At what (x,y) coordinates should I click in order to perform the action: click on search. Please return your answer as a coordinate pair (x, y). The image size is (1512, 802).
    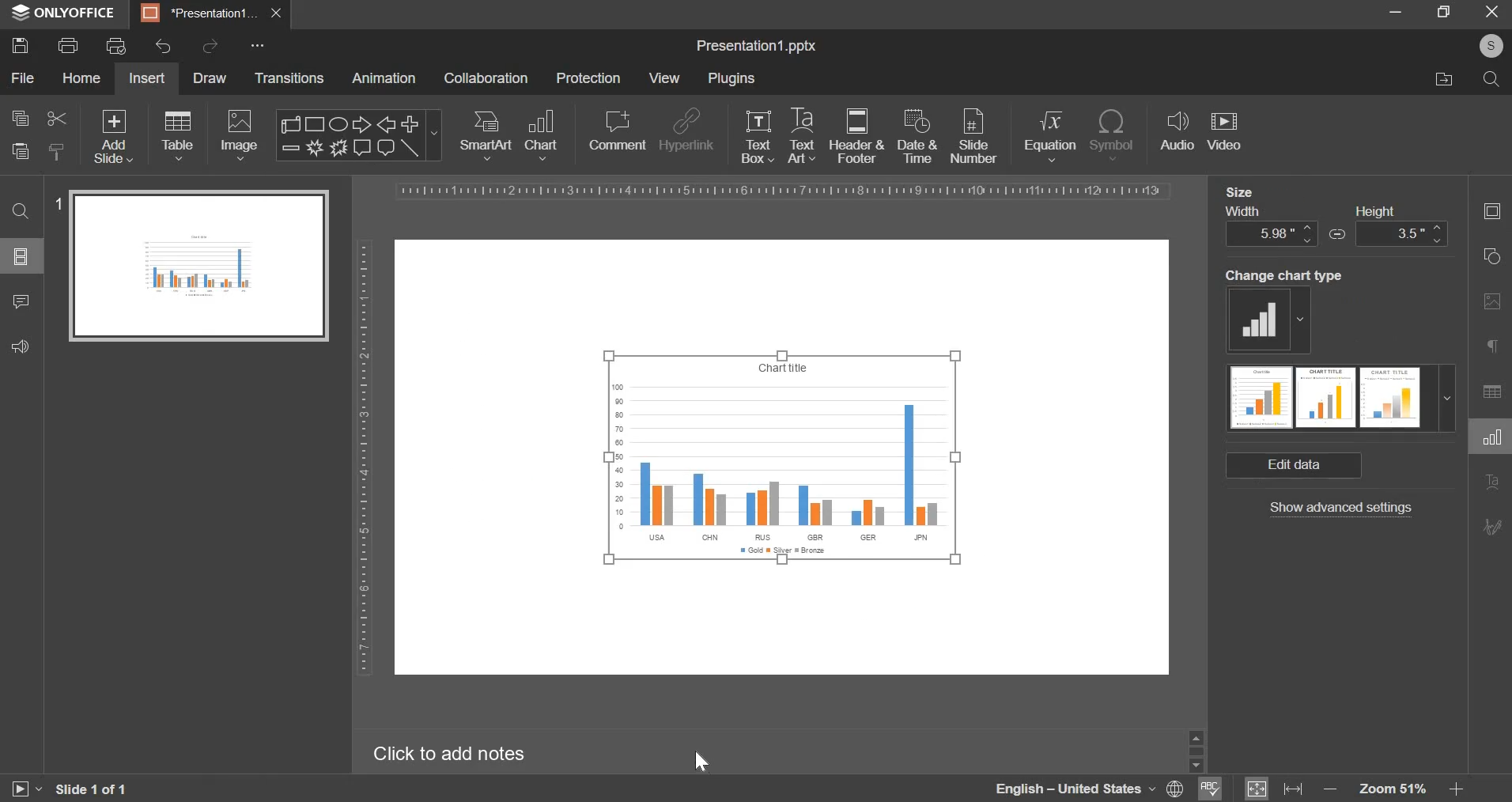
    Looking at the image, I should click on (1492, 79).